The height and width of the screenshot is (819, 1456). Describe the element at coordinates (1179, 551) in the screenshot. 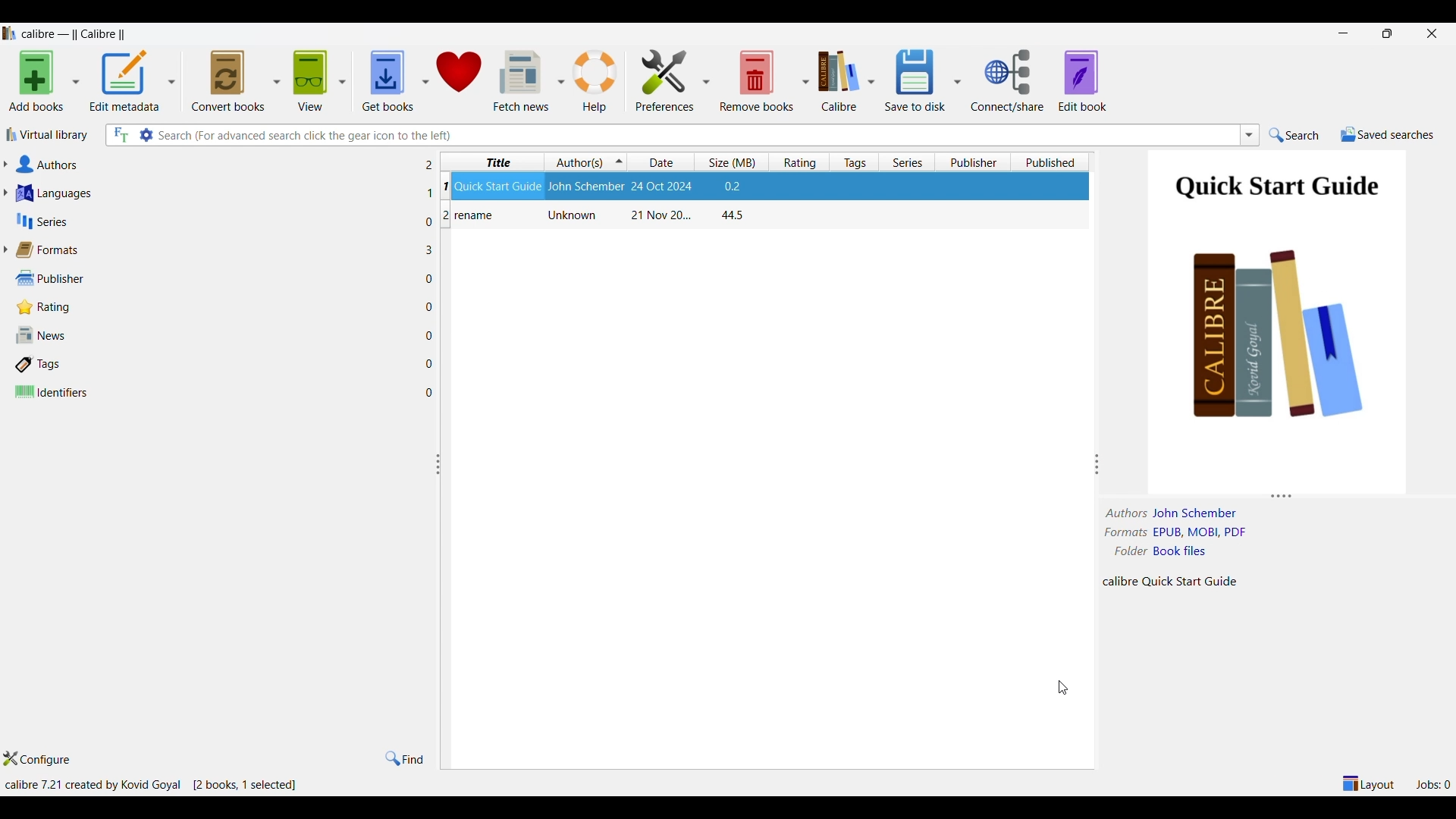

I see `book files` at that location.